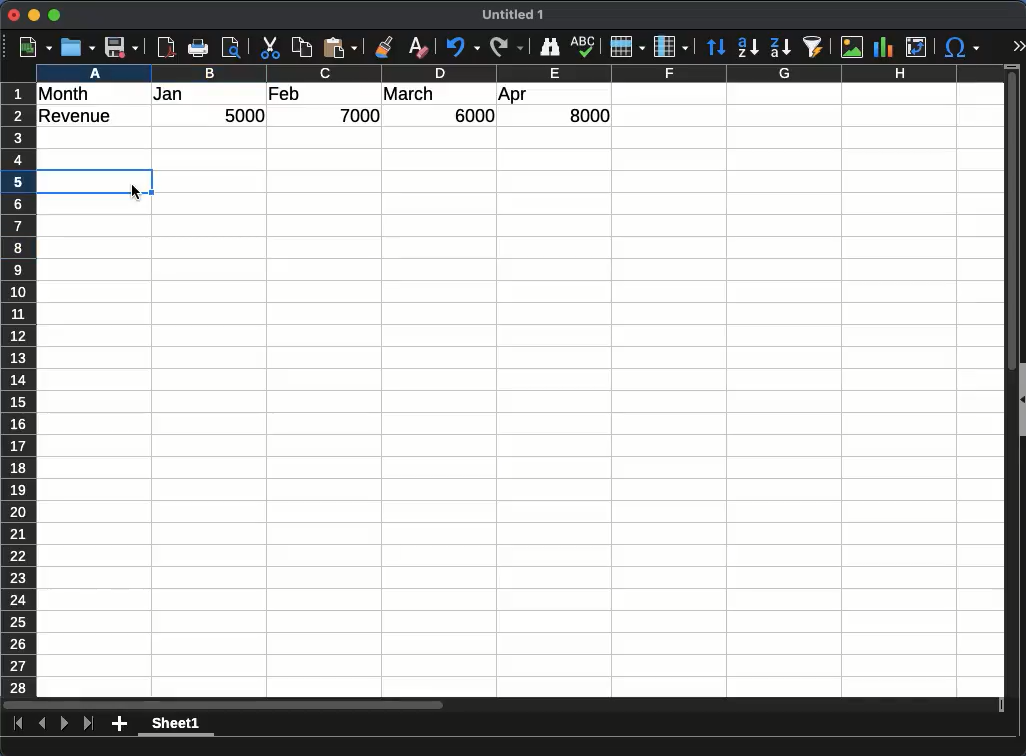 The image size is (1026, 756). Describe the element at coordinates (34, 15) in the screenshot. I see `minimize` at that location.